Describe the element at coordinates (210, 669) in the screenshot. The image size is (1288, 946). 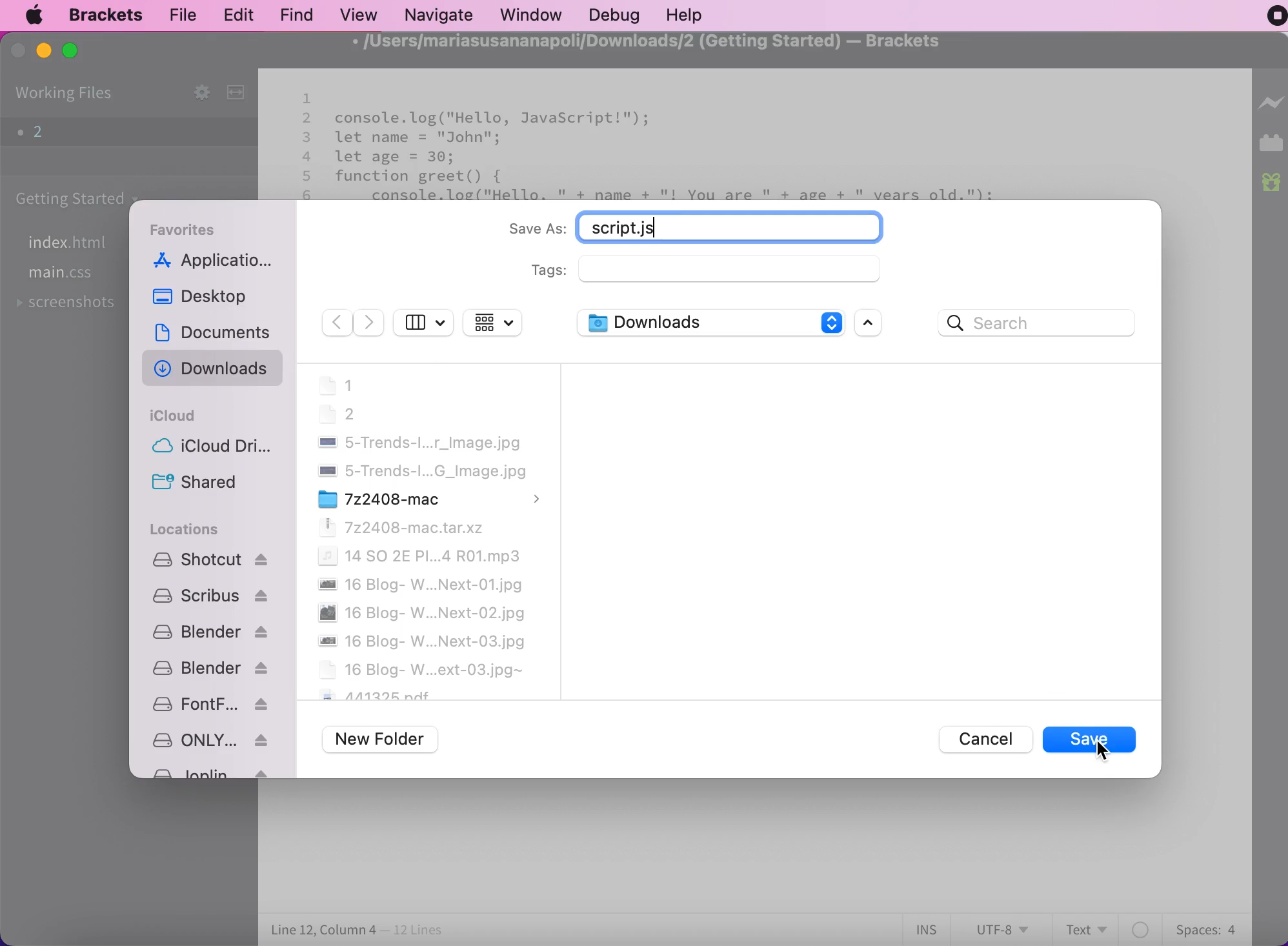
I see `blender` at that location.